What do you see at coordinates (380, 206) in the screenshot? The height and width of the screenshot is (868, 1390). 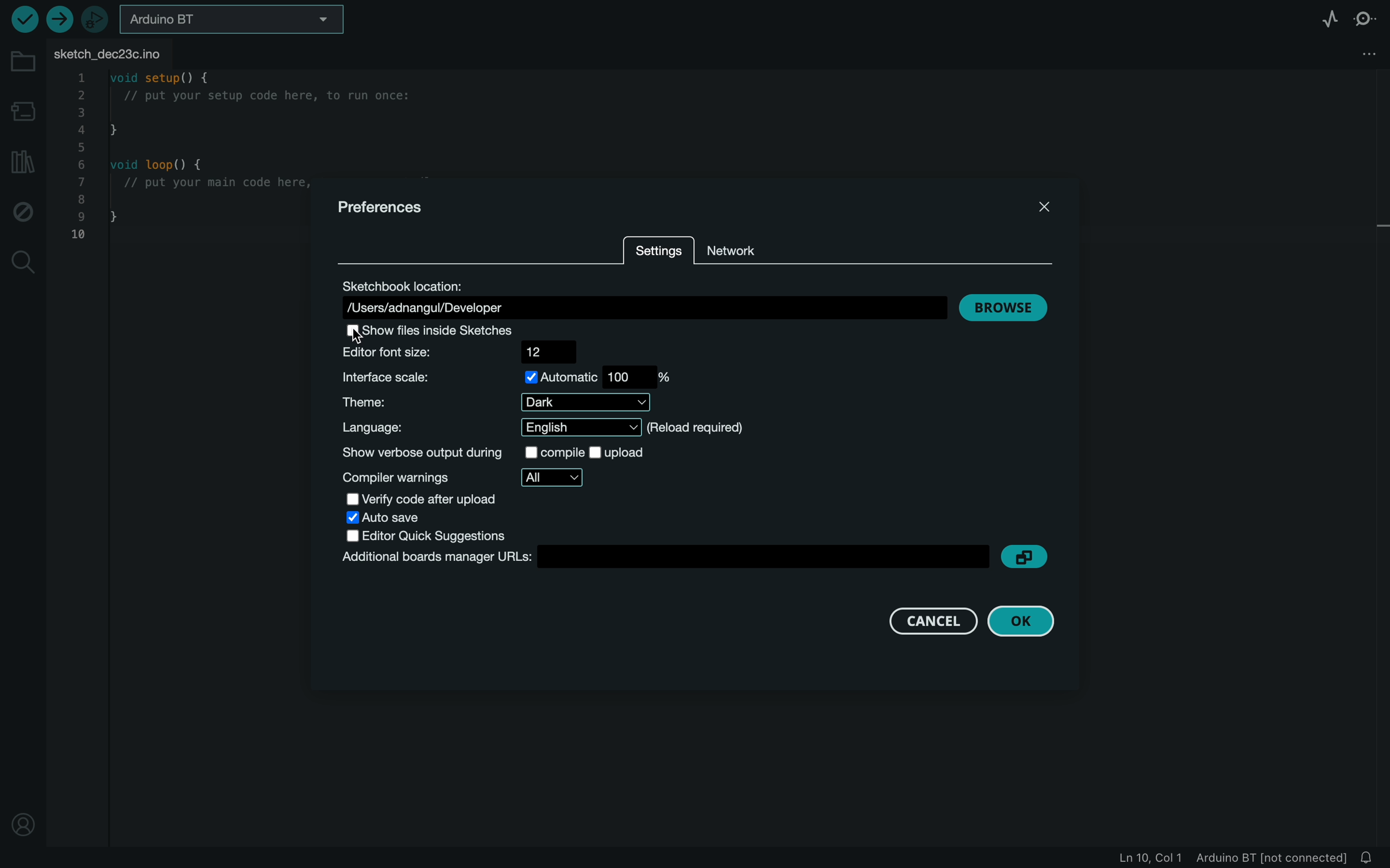 I see `prefernces` at bounding box center [380, 206].